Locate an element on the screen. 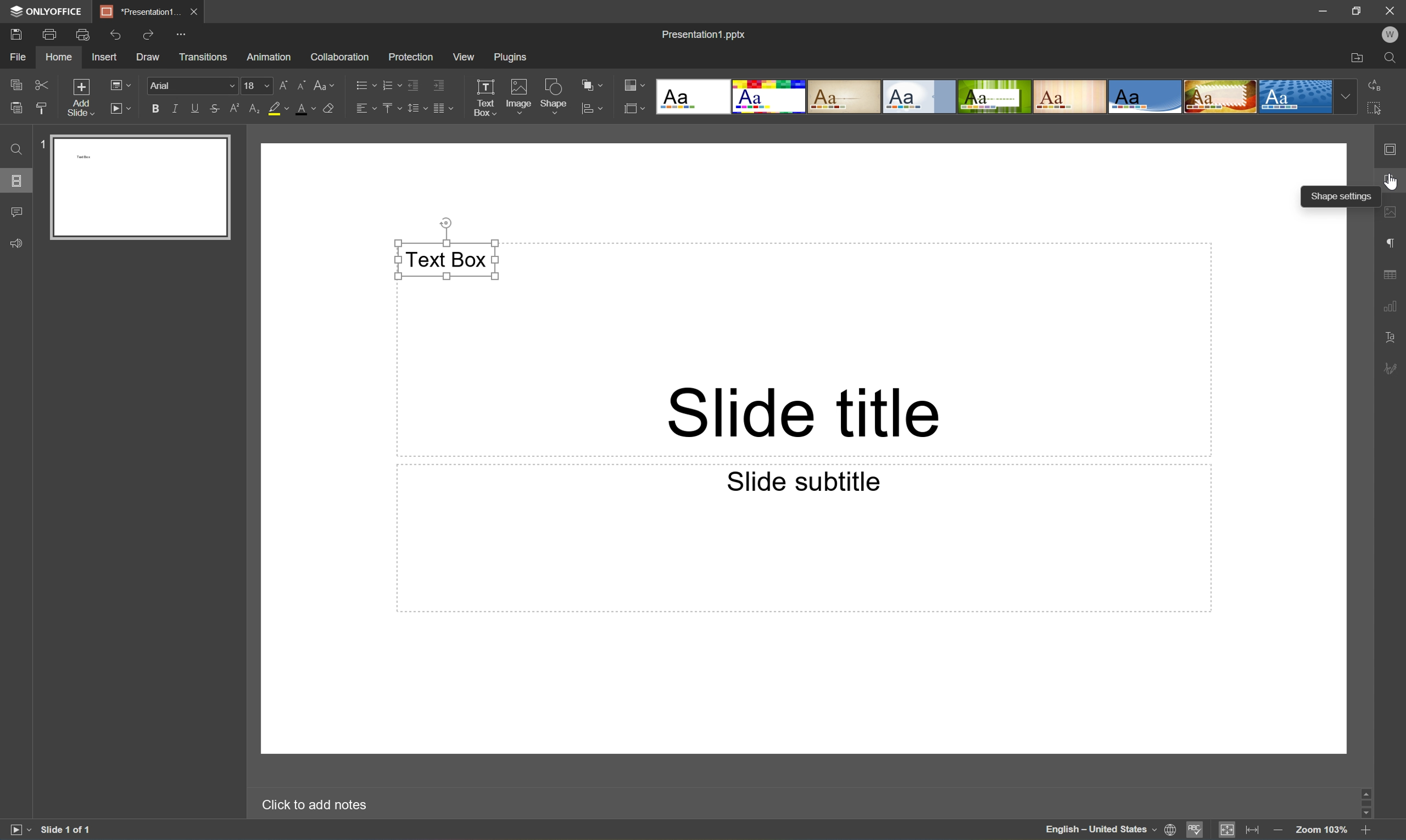 The height and width of the screenshot is (840, 1406). Paste is located at coordinates (13, 108).